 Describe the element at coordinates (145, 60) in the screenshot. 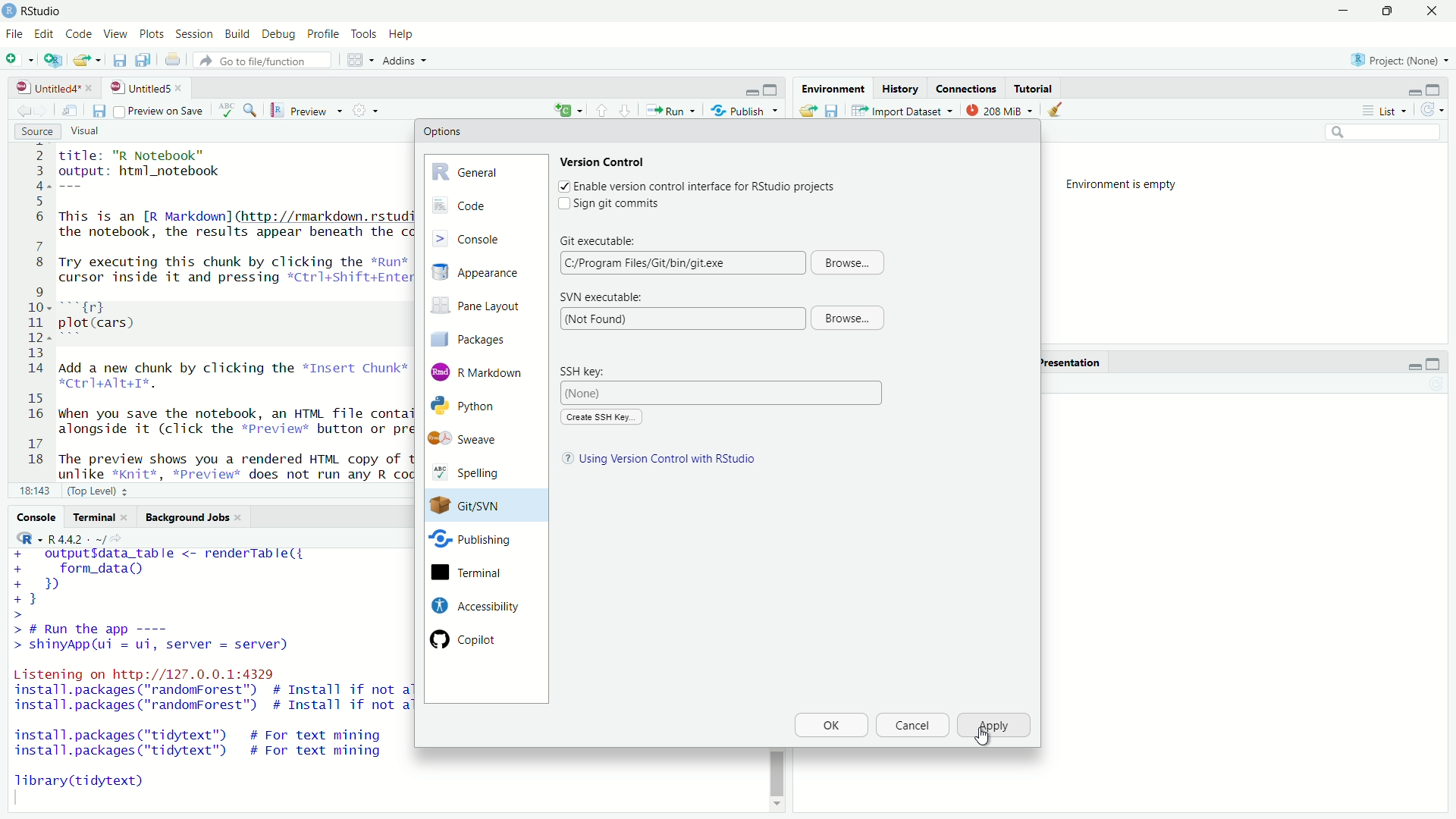

I see `save all open documents` at that location.